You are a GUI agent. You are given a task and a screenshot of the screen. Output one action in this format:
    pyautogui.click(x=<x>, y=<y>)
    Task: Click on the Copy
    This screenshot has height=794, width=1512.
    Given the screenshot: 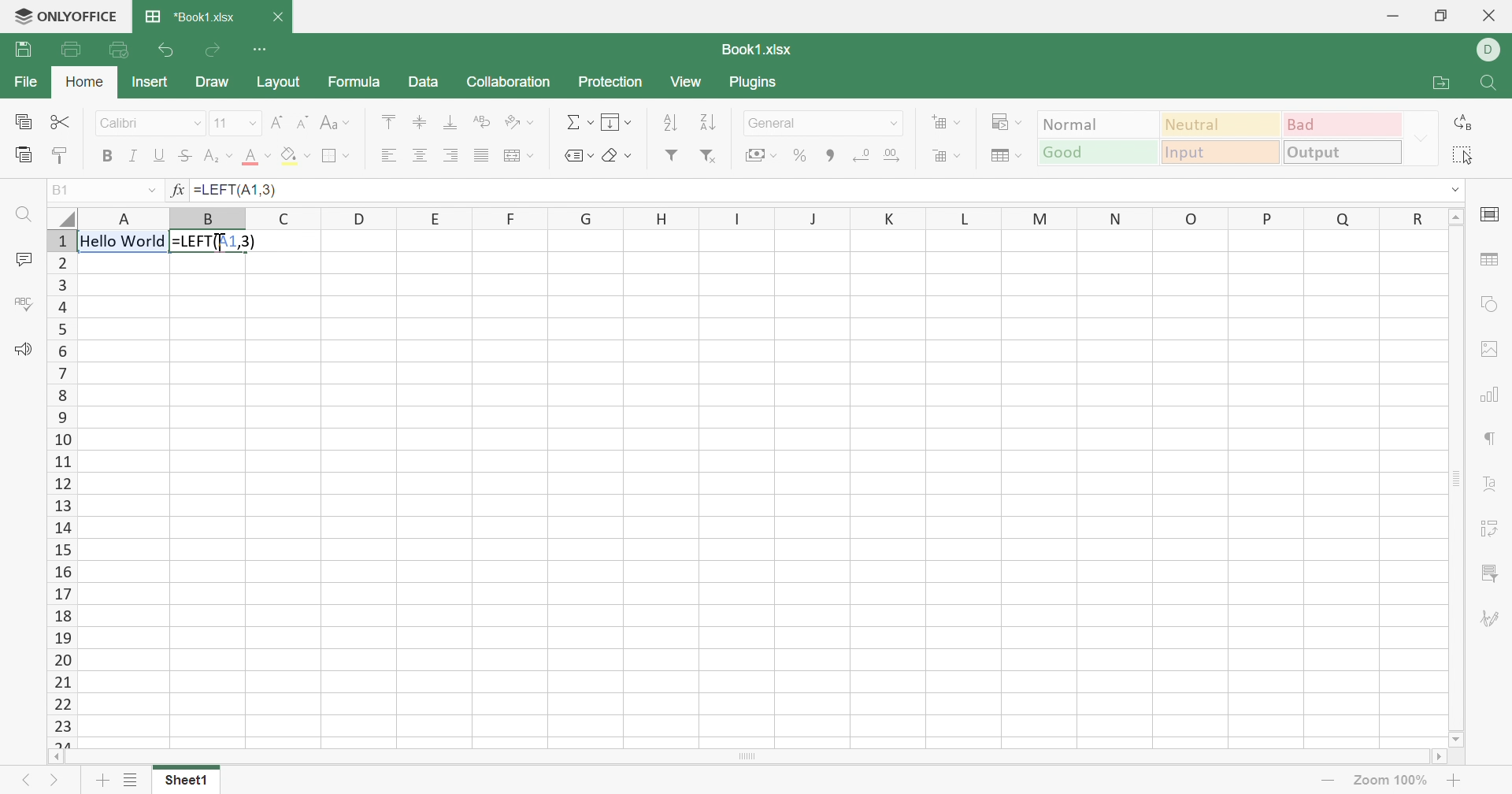 What is the action you would take?
    pyautogui.click(x=24, y=123)
    